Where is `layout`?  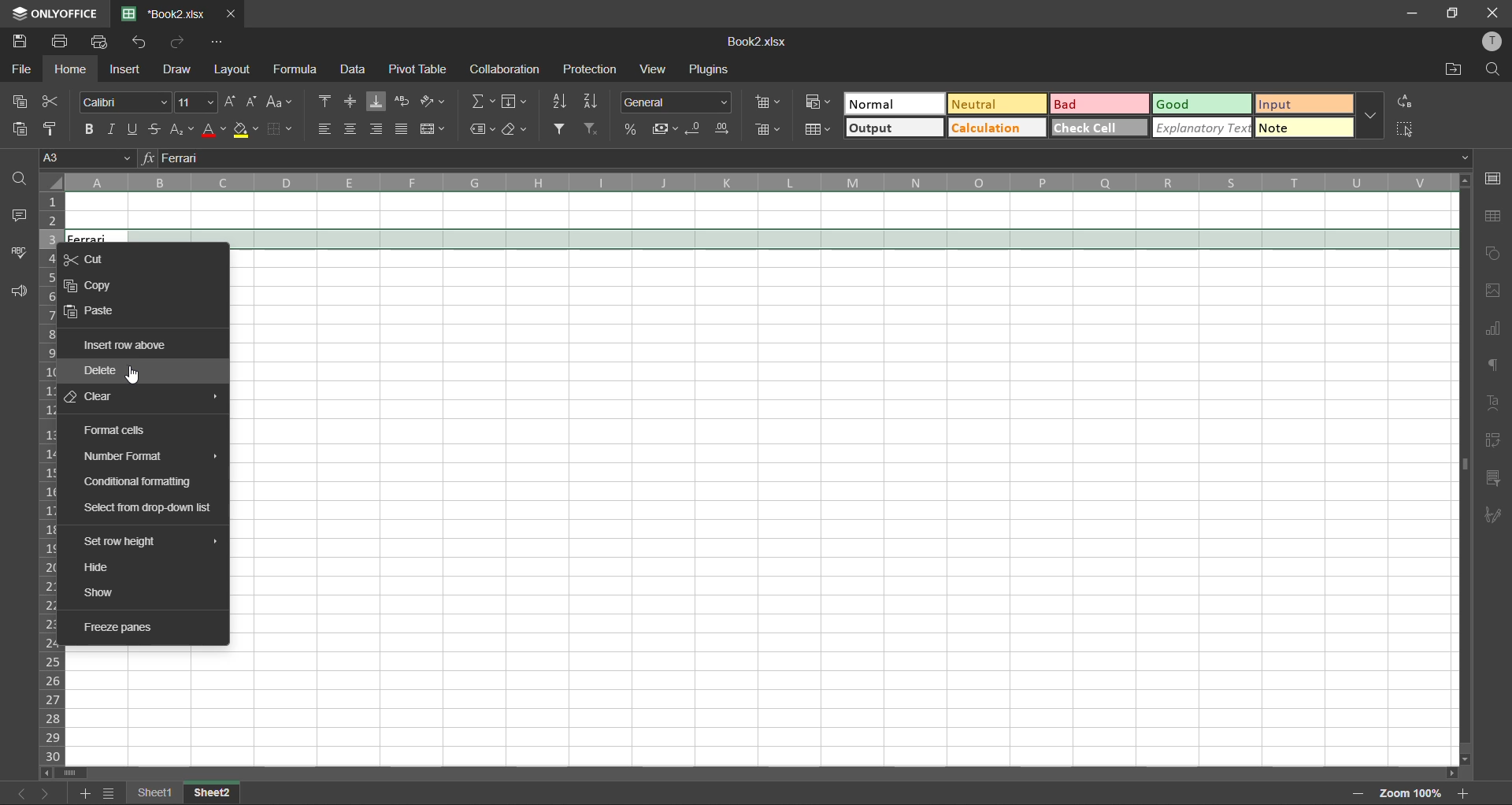
layout is located at coordinates (235, 69).